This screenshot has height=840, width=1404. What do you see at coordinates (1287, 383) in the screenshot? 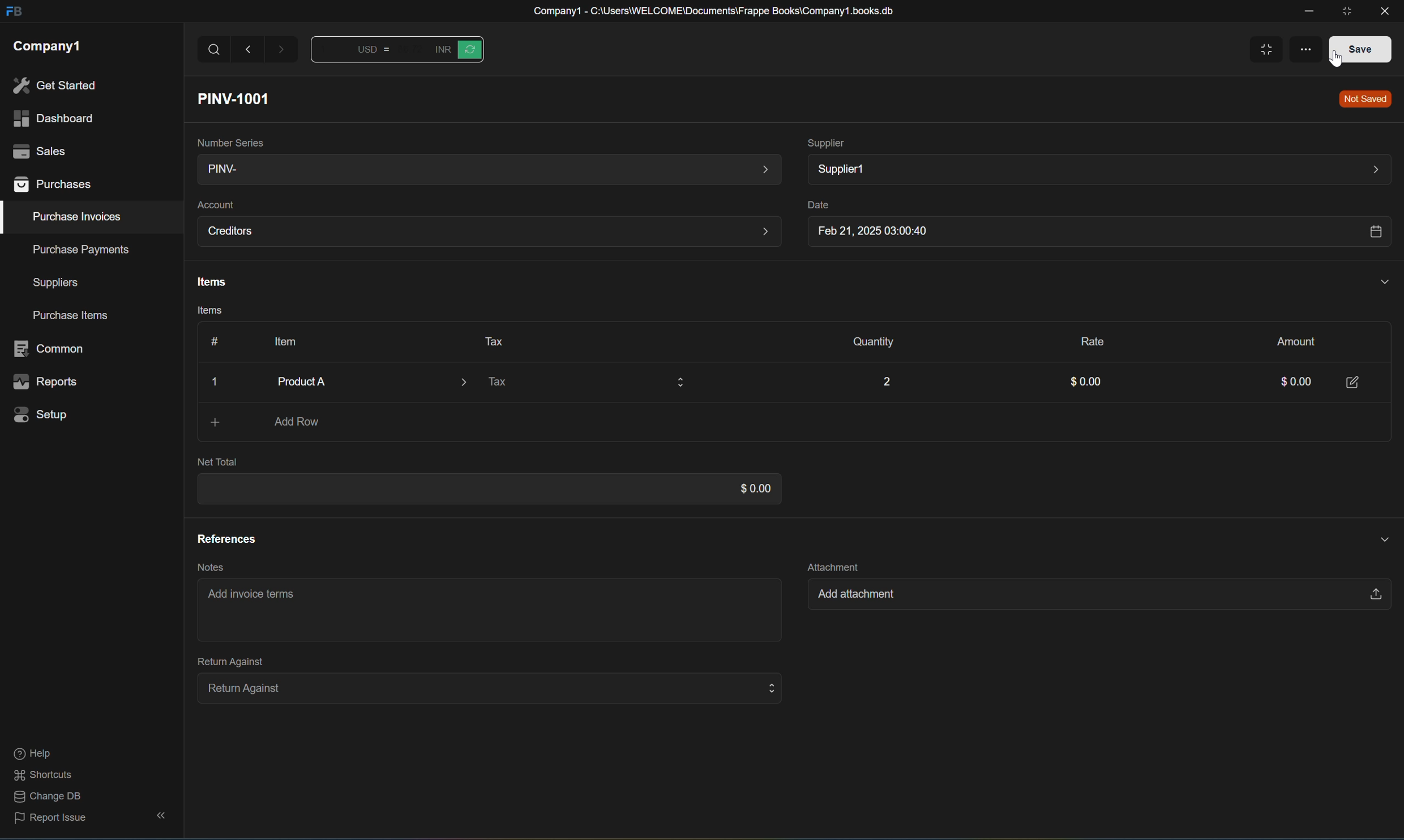
I see `0.00` at bounding box center [1287, 383].